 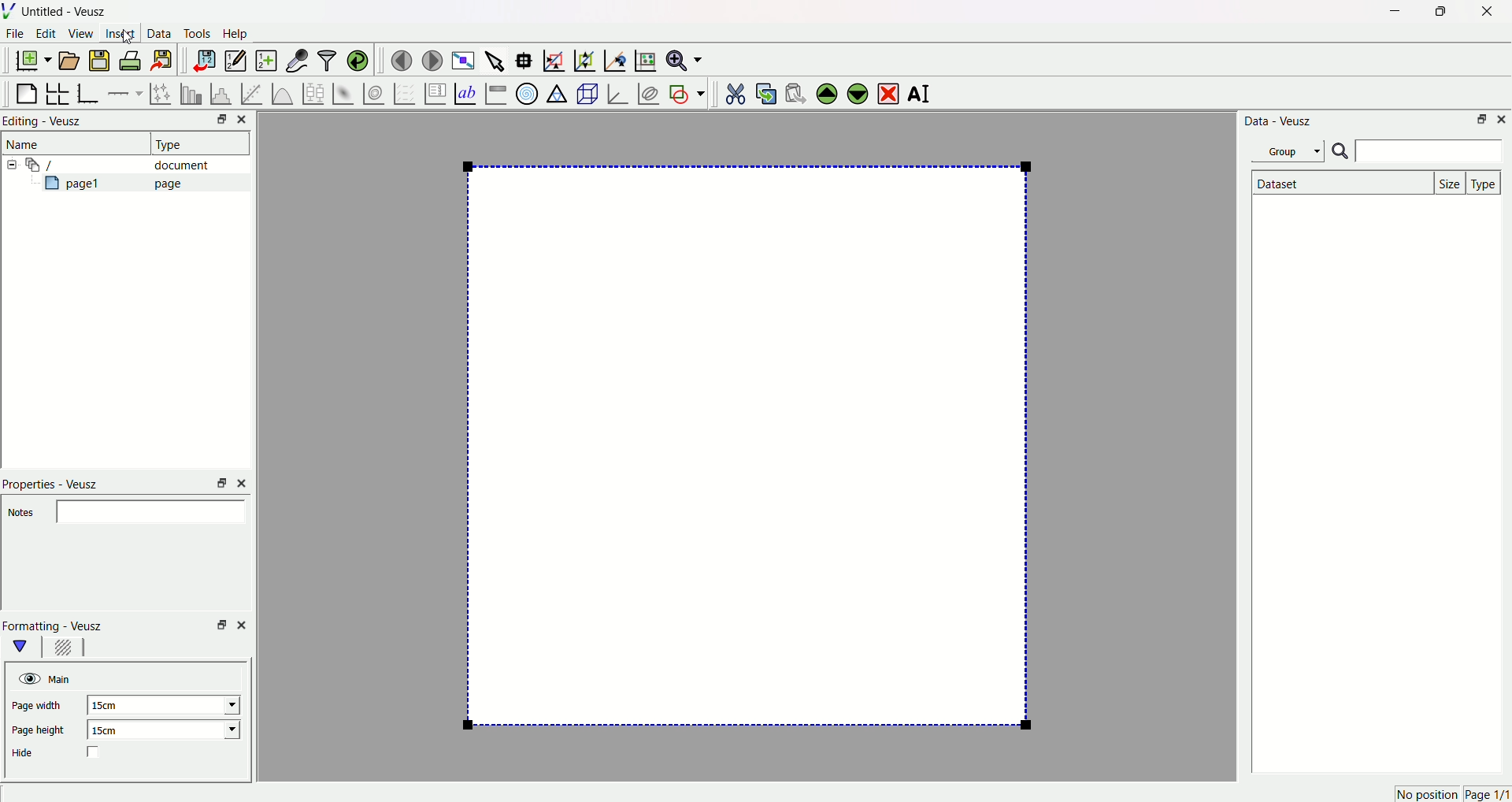 I want to click on add axis, so click(x=125, y=91).